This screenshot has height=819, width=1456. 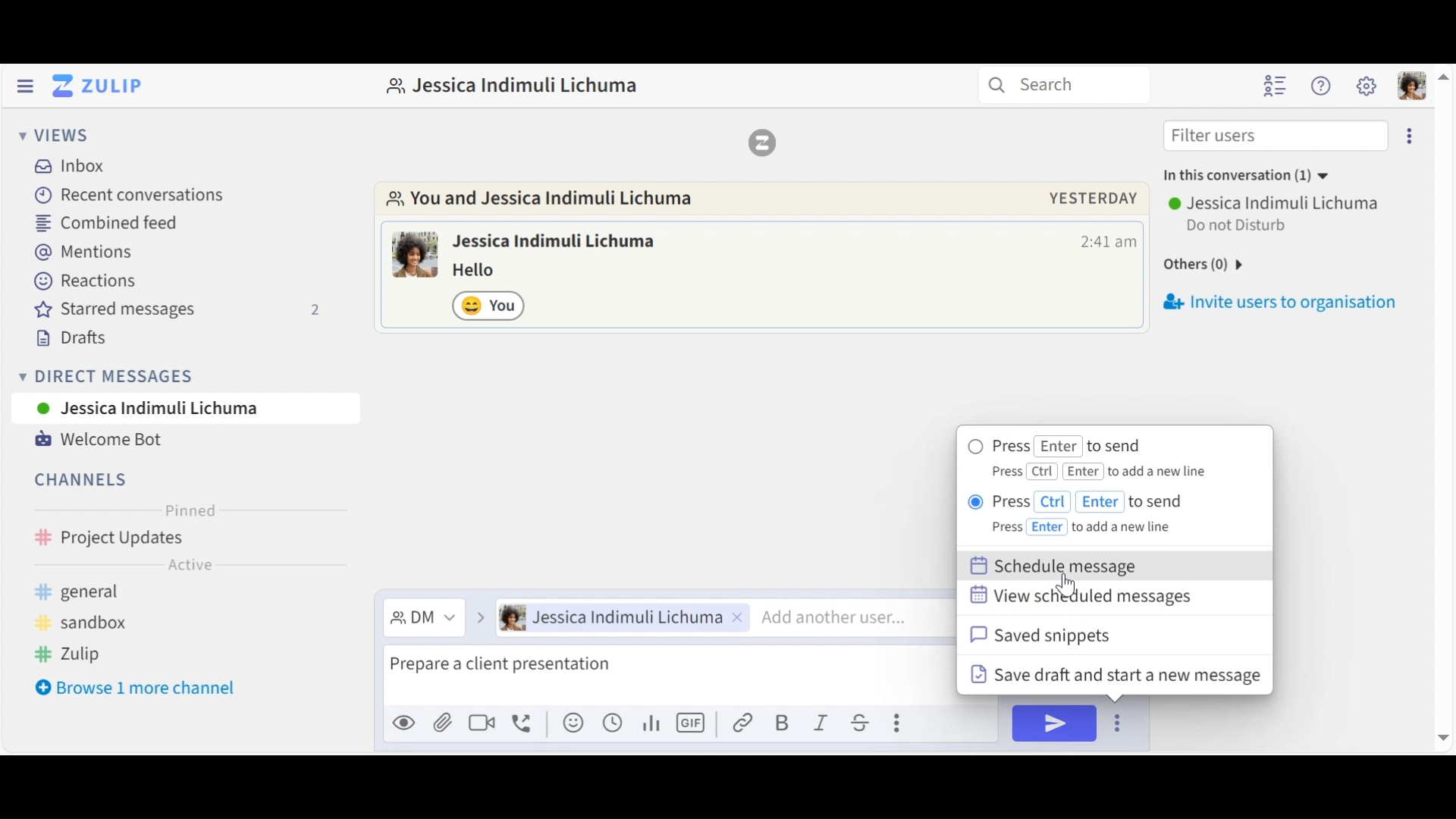 What do you see at coordinates (1072, 86) in the screenshot?
I see `Search` at bounding box center [1072, 86].